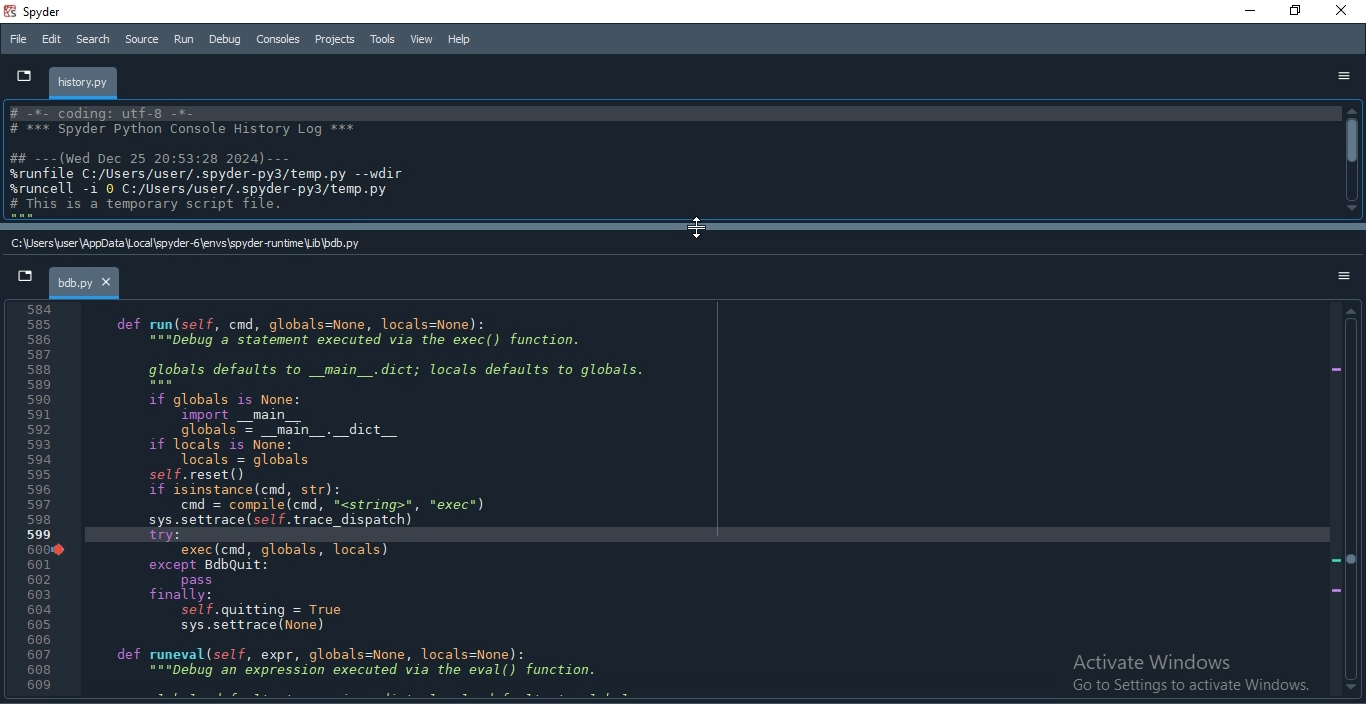 This screenshot has width=1366, height=704. Describe the element at coordinates (697, 229) in the screenshot. I see `Cursor on Adjusted window` at that location.